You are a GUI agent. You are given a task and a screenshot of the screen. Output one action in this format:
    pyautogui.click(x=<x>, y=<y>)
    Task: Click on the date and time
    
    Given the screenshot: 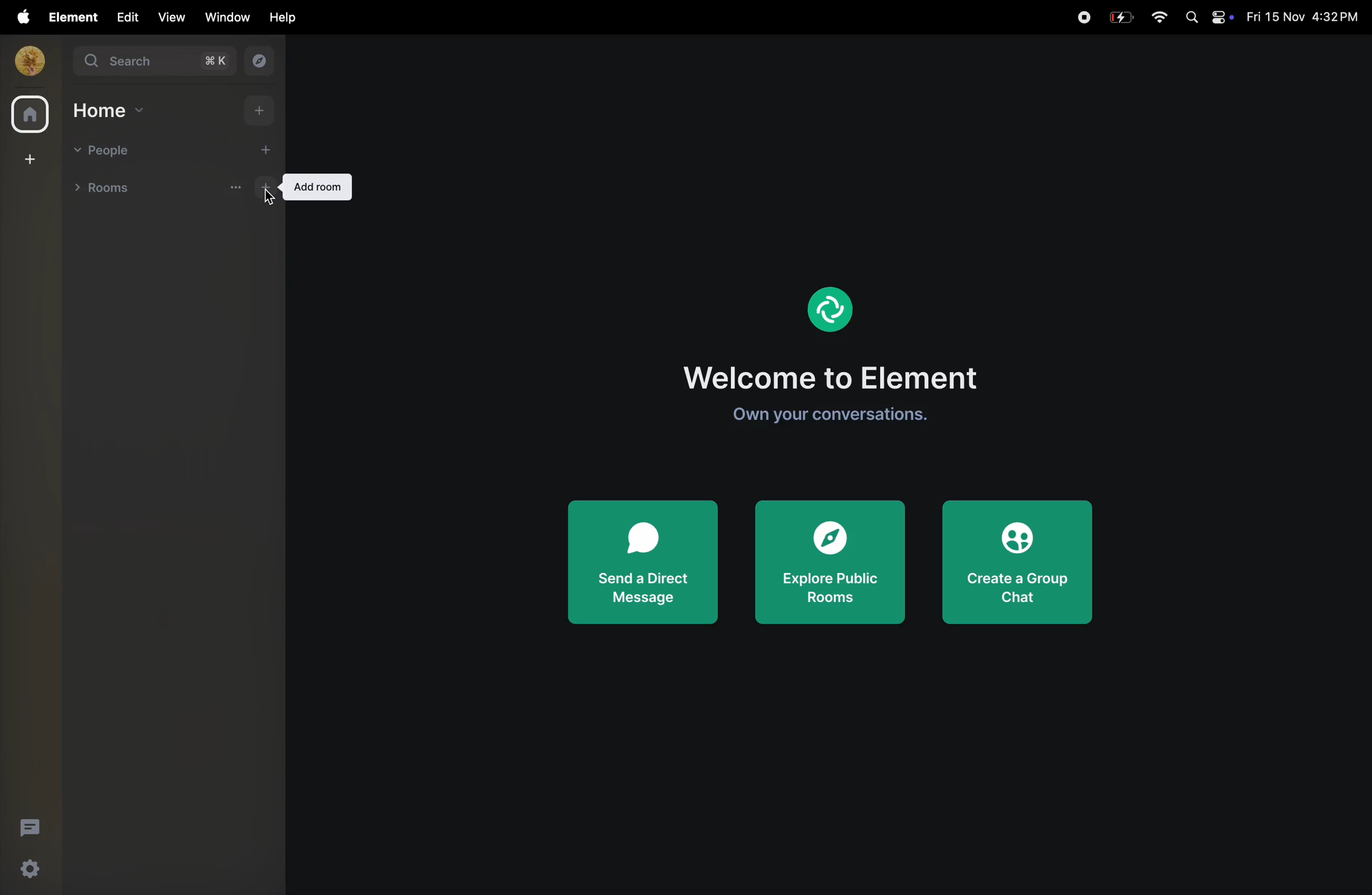 What is the action you would take?
    pyautogui.click(x=1302, y=17)
    